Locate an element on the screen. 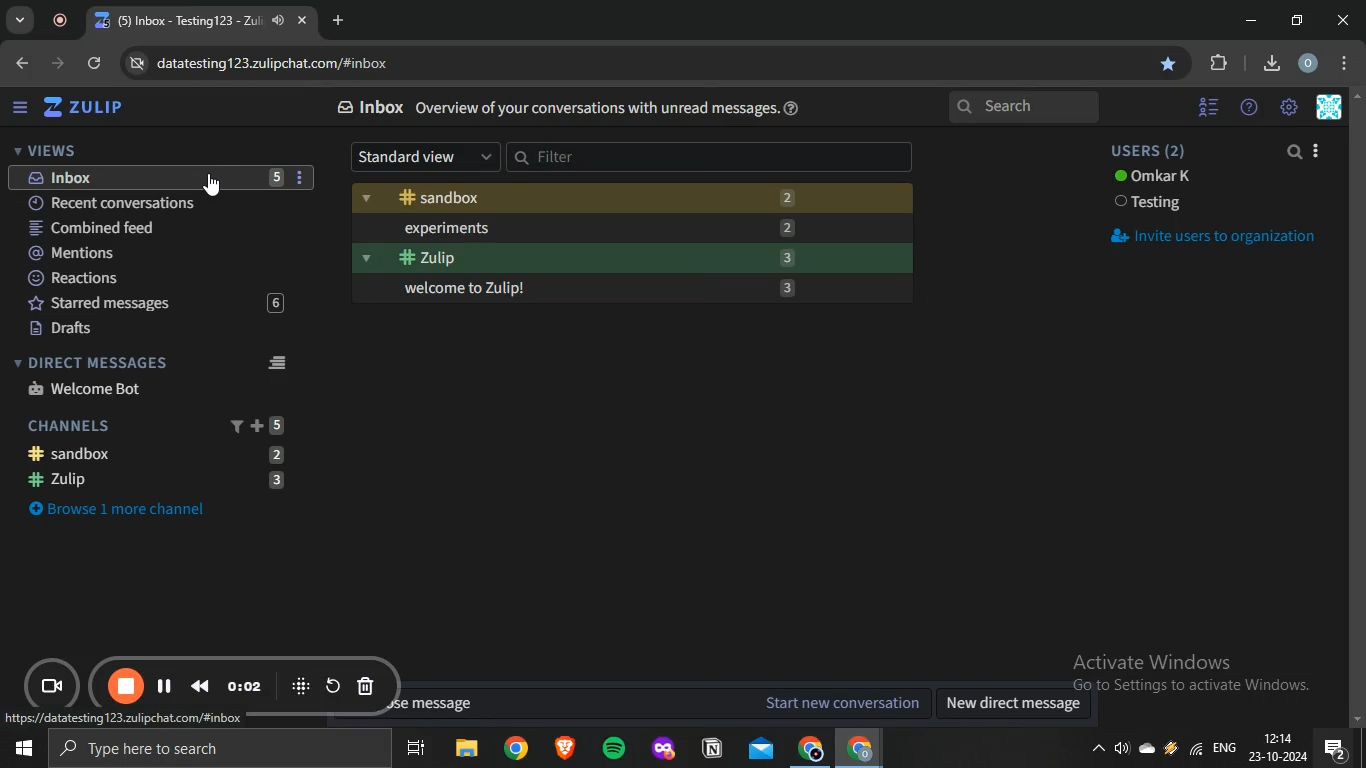 This screenshot has height=768, width=1366. search is located at coordinates (1296, 153).